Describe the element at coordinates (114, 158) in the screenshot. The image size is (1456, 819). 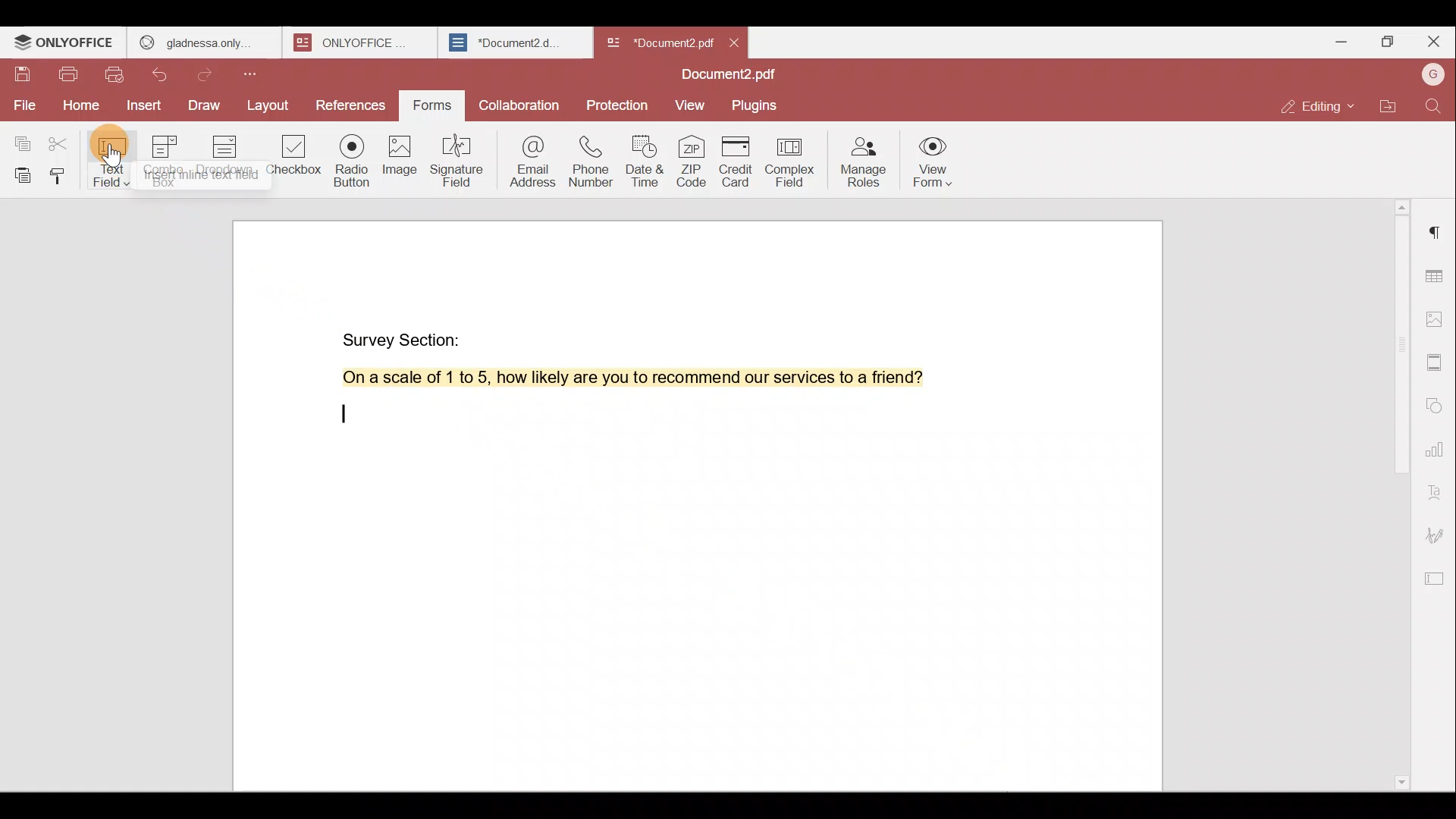
I see `Text field` at that location.